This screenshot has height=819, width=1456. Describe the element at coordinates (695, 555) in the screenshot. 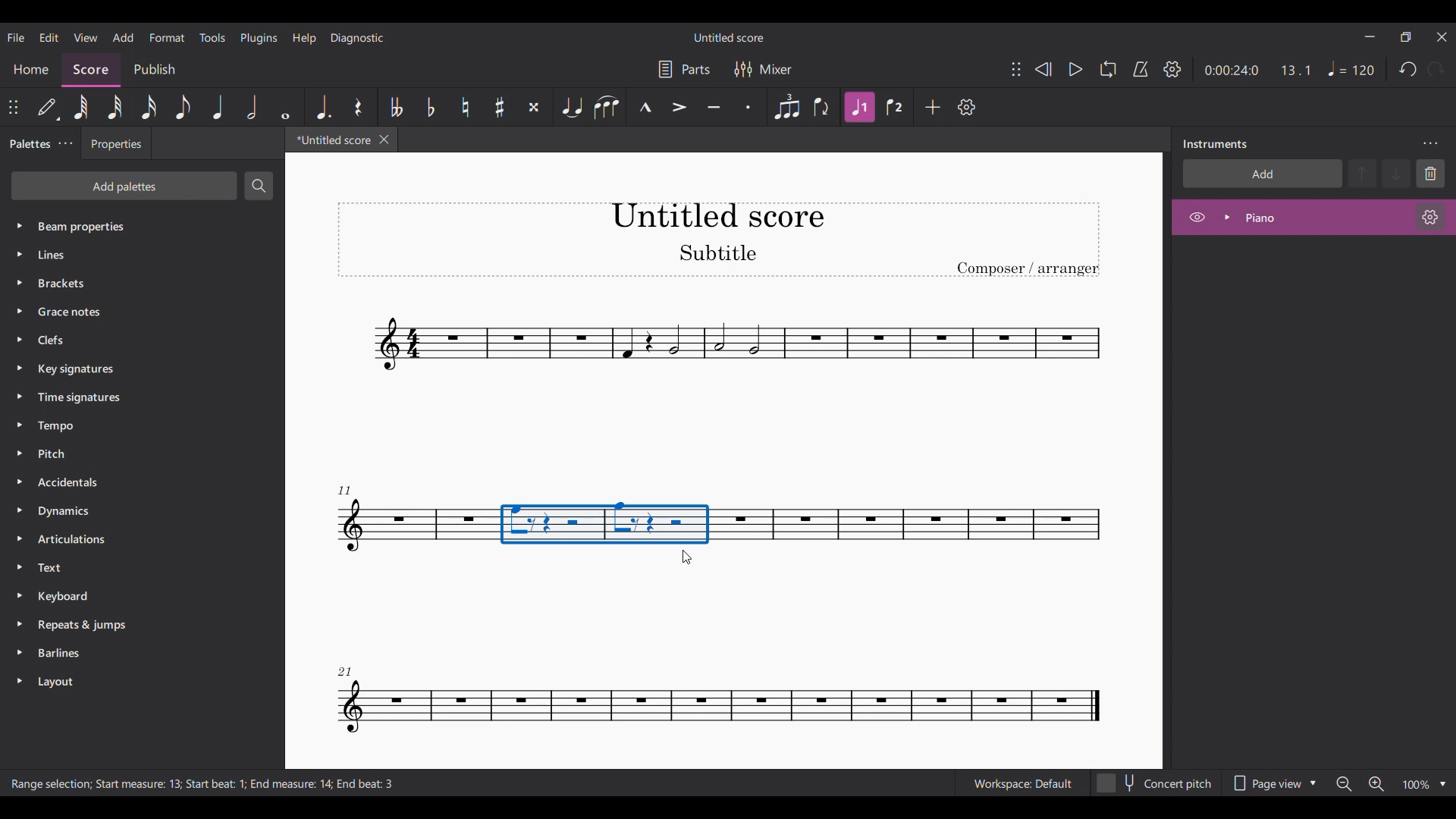

I see `Cursor position unchanged` at that location.